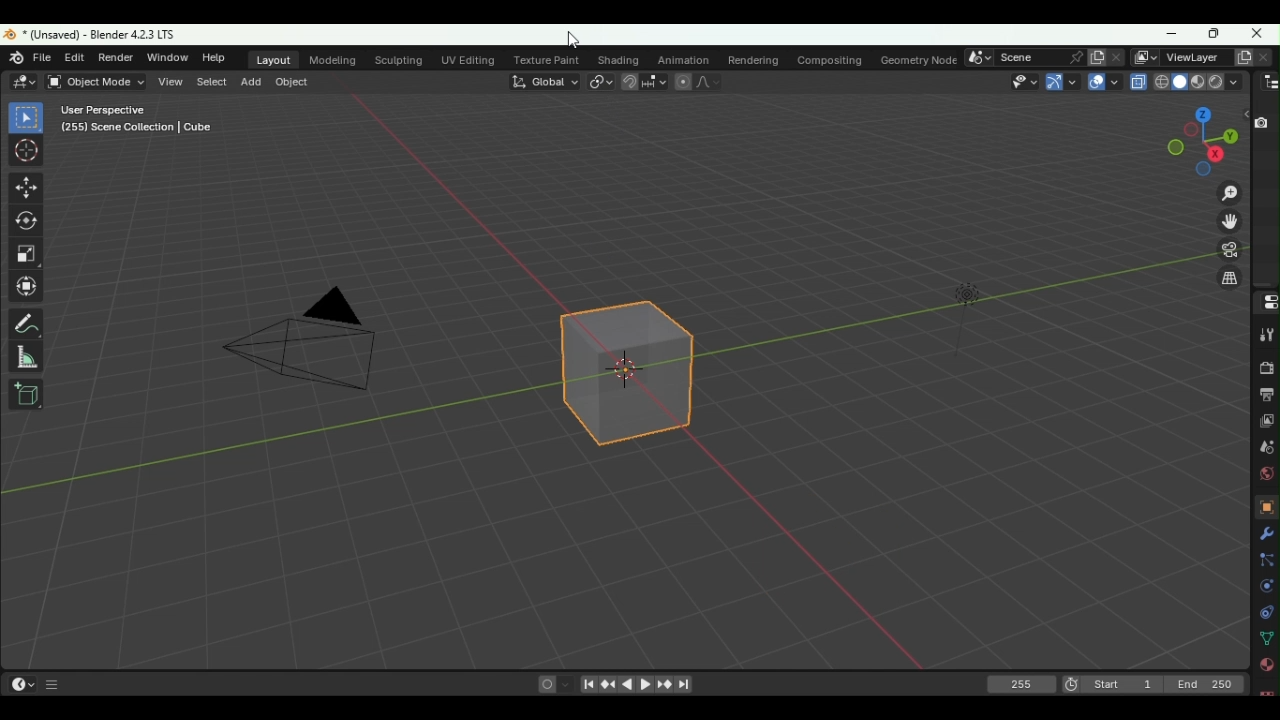 The height and width of the screenshot is (720, 1280). What do you see at coordinates (1121, 684) in the screenshot?
I see `First frame of the playback/rendering range` at bounding box center [1121, 684].